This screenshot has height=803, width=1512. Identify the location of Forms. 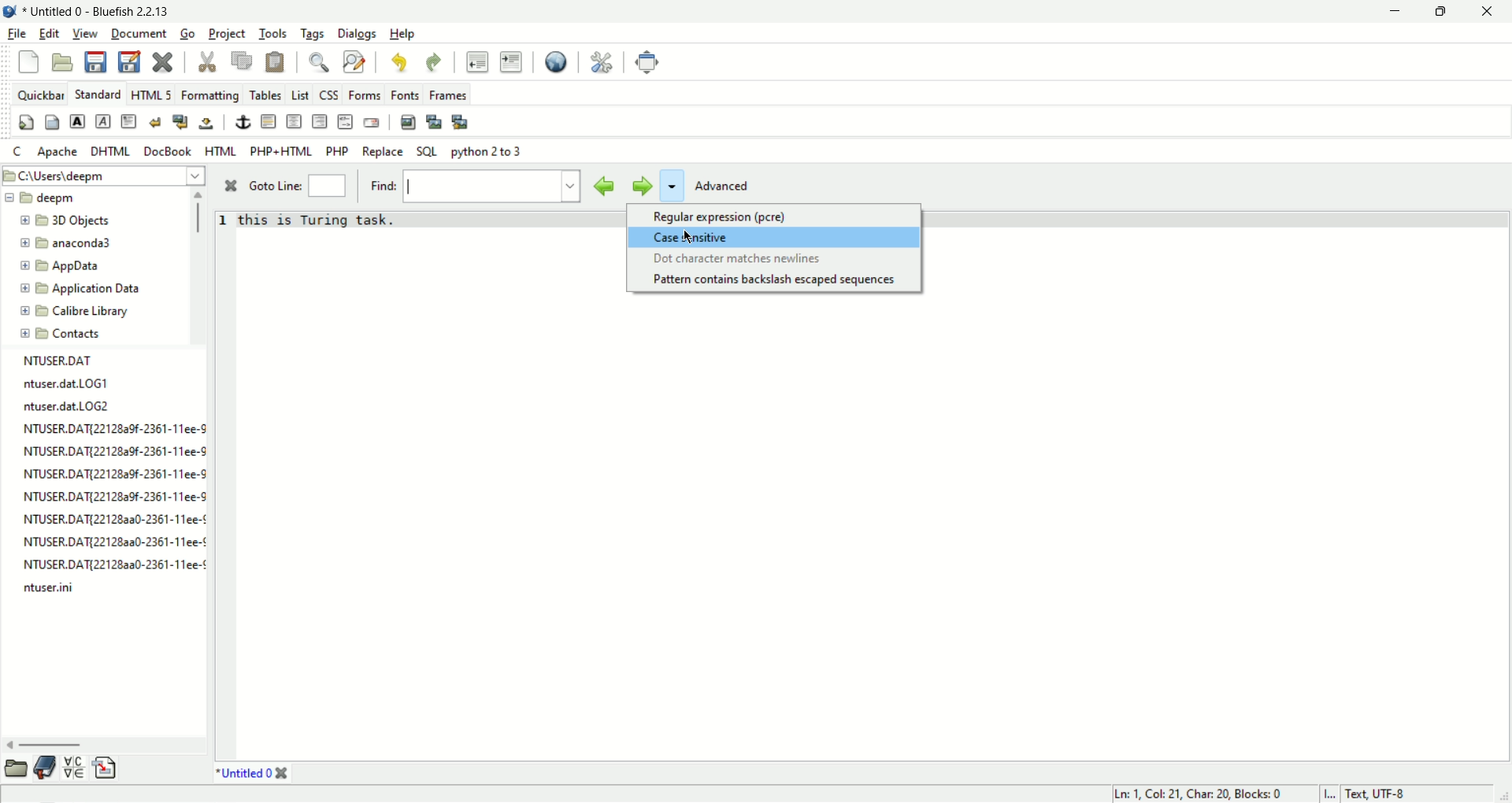
(365, 95).